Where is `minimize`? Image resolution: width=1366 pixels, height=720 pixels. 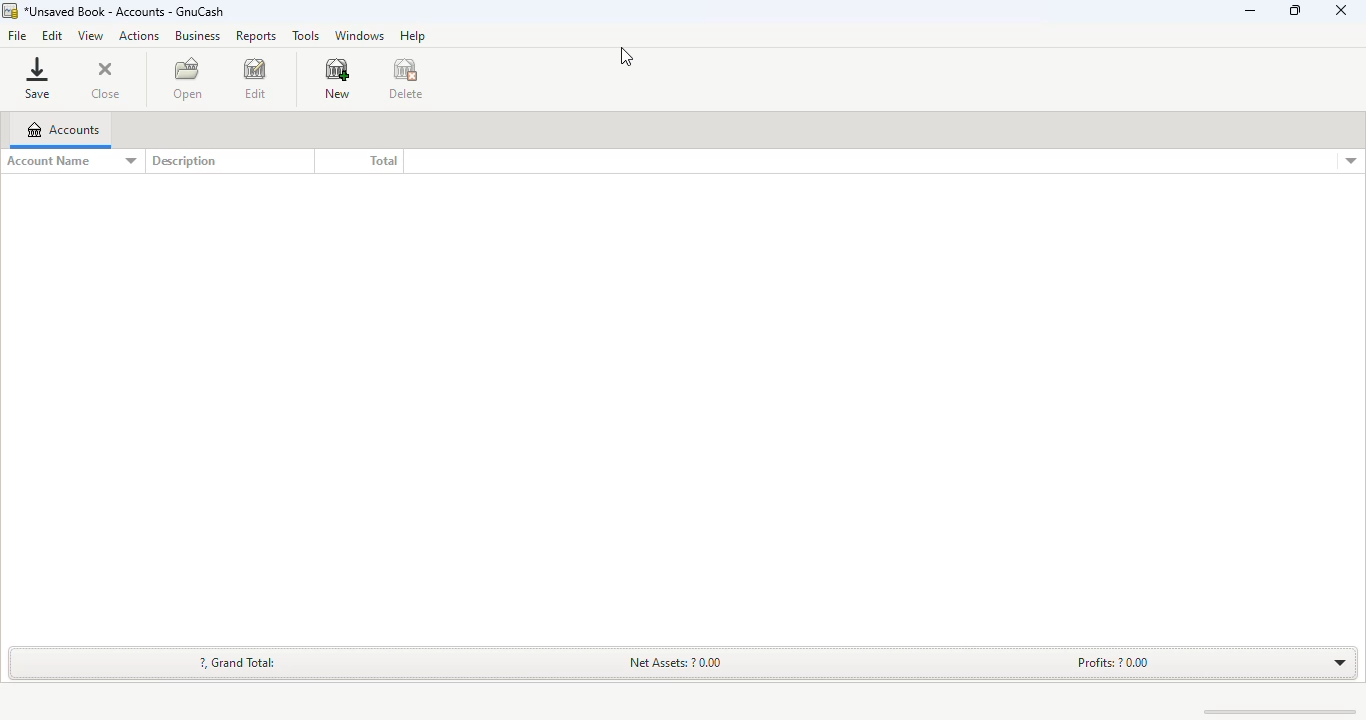 minimize is located at coordinates (1250, 10).